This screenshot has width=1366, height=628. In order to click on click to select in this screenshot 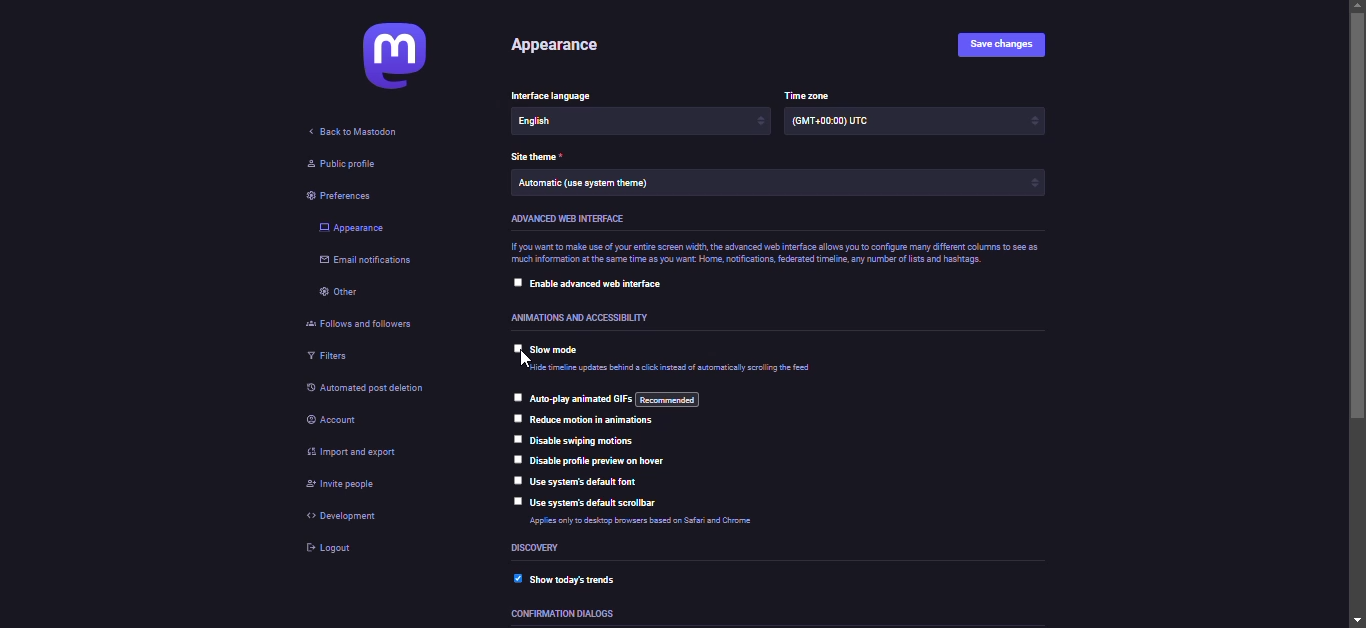, I will do `click(516, 439)`.